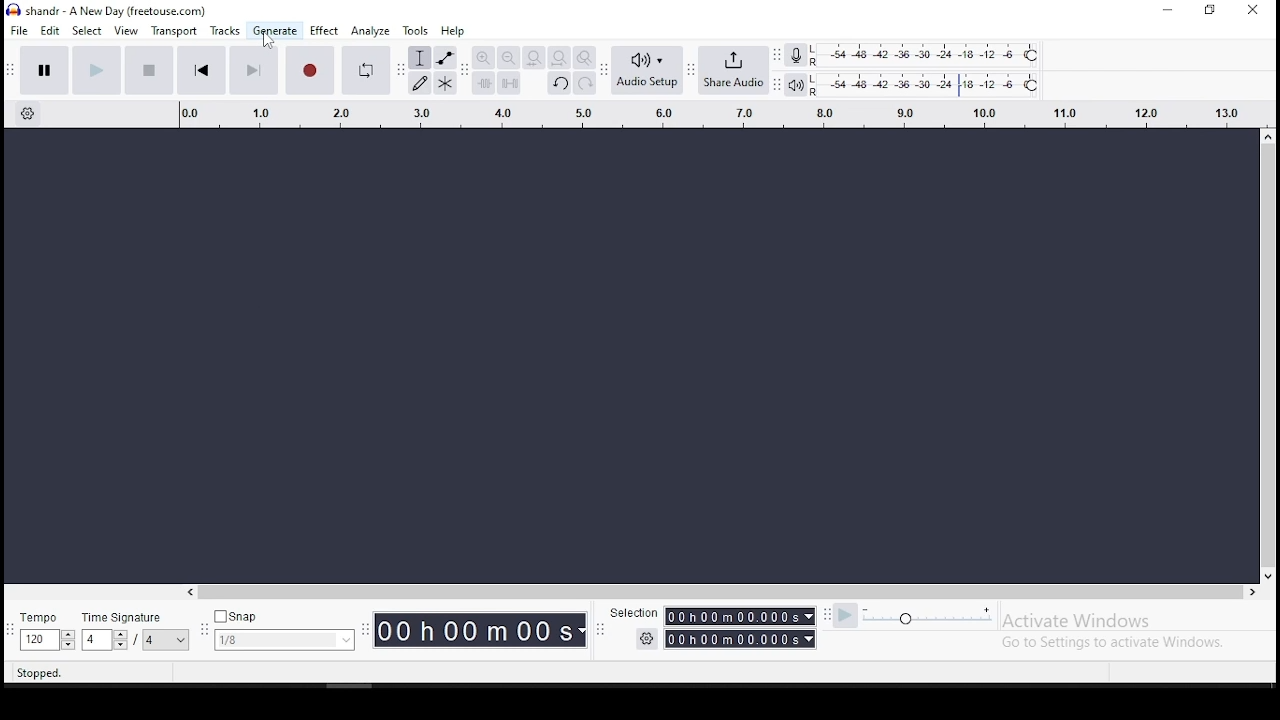 This screenshot has width=1280, height=720. I want to click on audio setup, so click(647, 70).